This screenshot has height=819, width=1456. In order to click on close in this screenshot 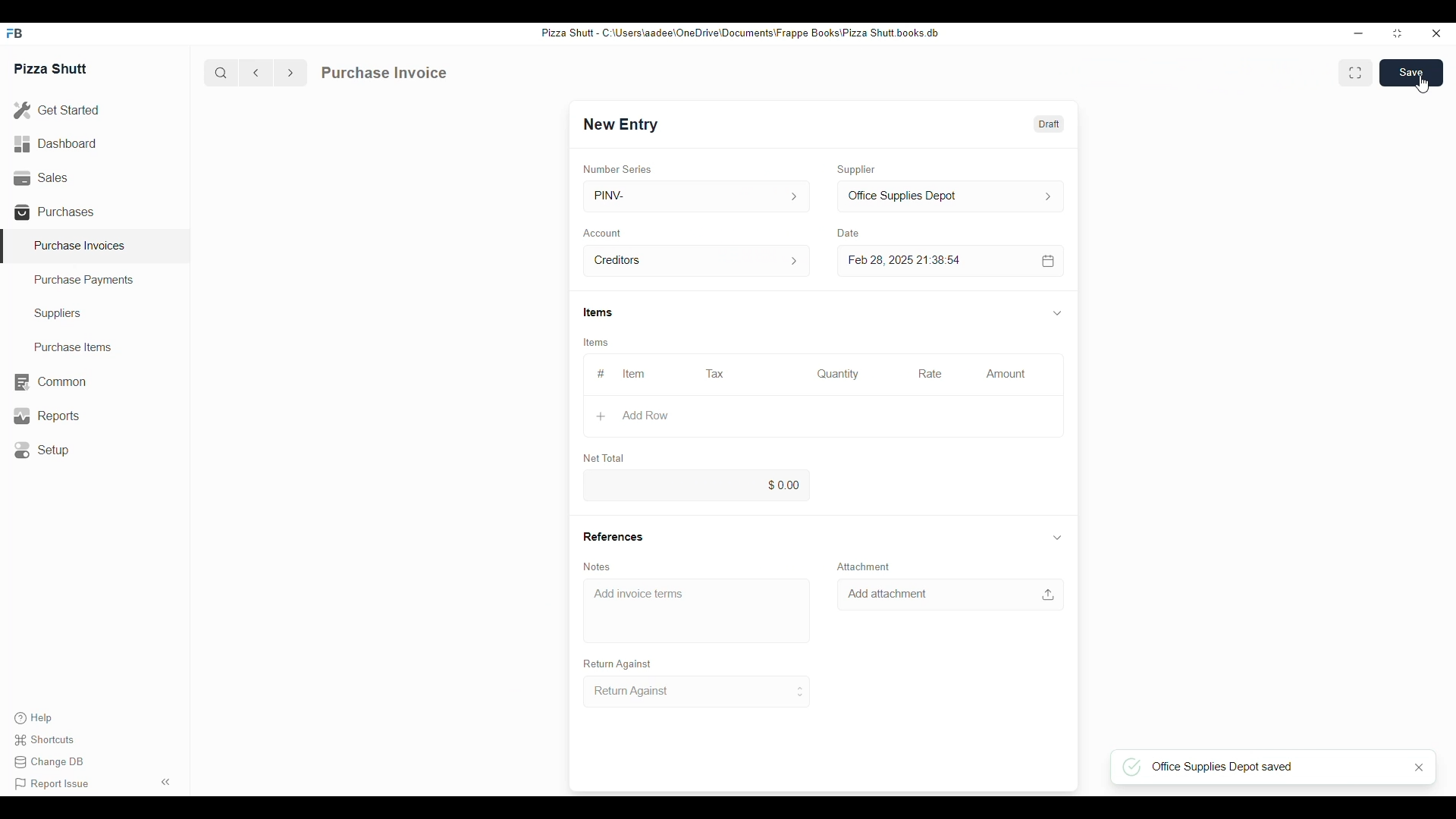, I will do `click(1437, 34)`.